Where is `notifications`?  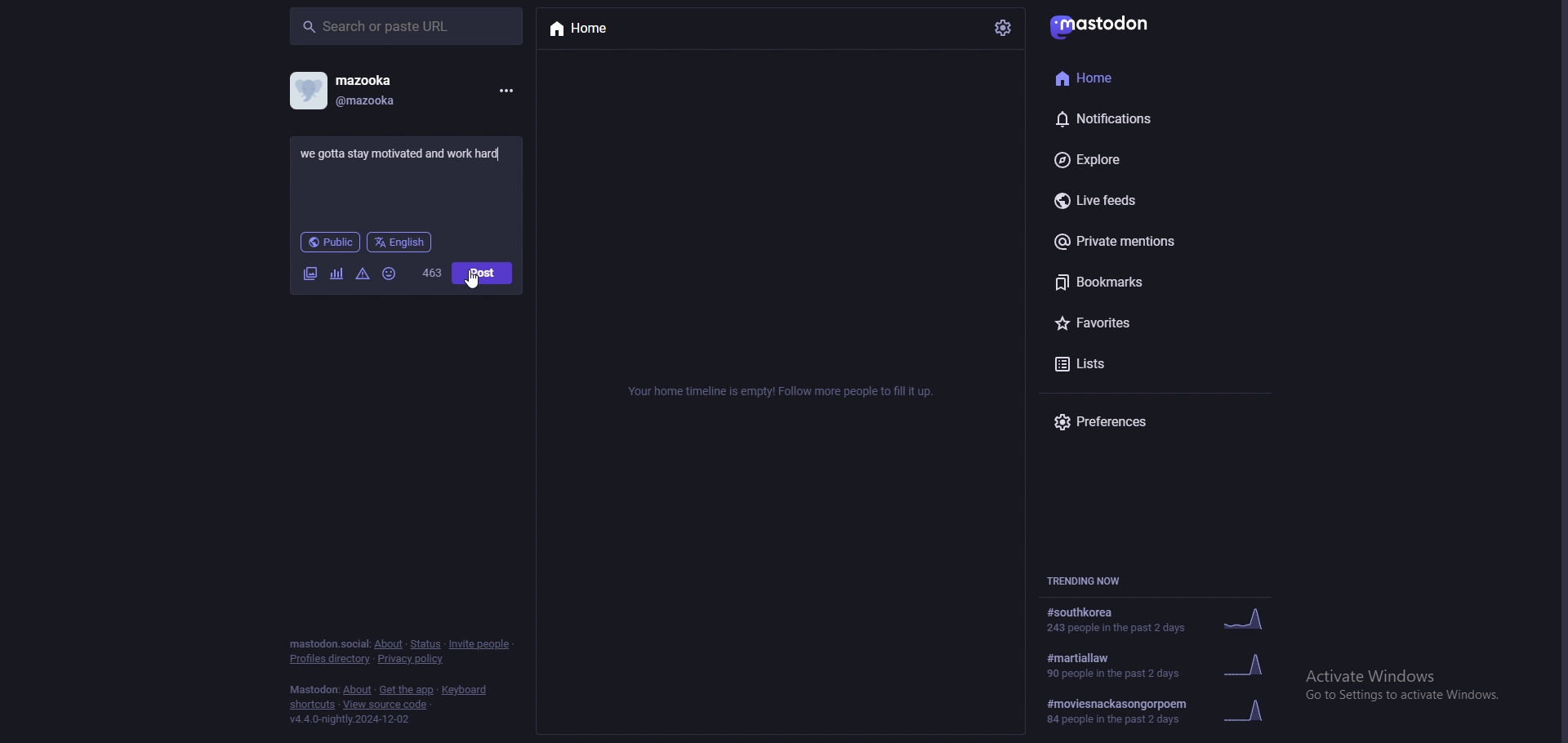 notifications is located at coordinates (1127, 118).